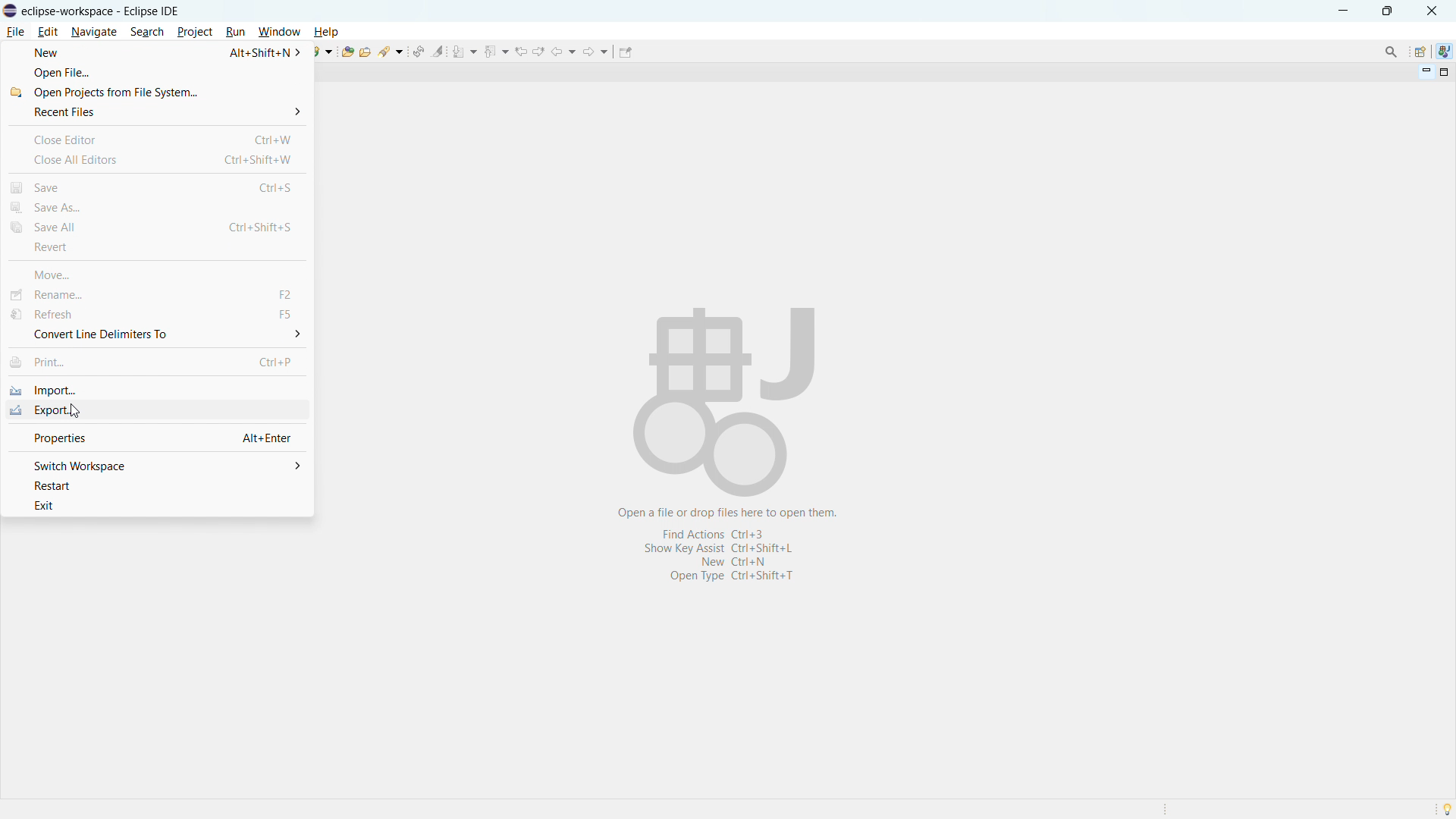 This screenshot has width=1456, height=819. Describe the element at coordinates (156, 411) in the screenshot. I see `export` at that location.